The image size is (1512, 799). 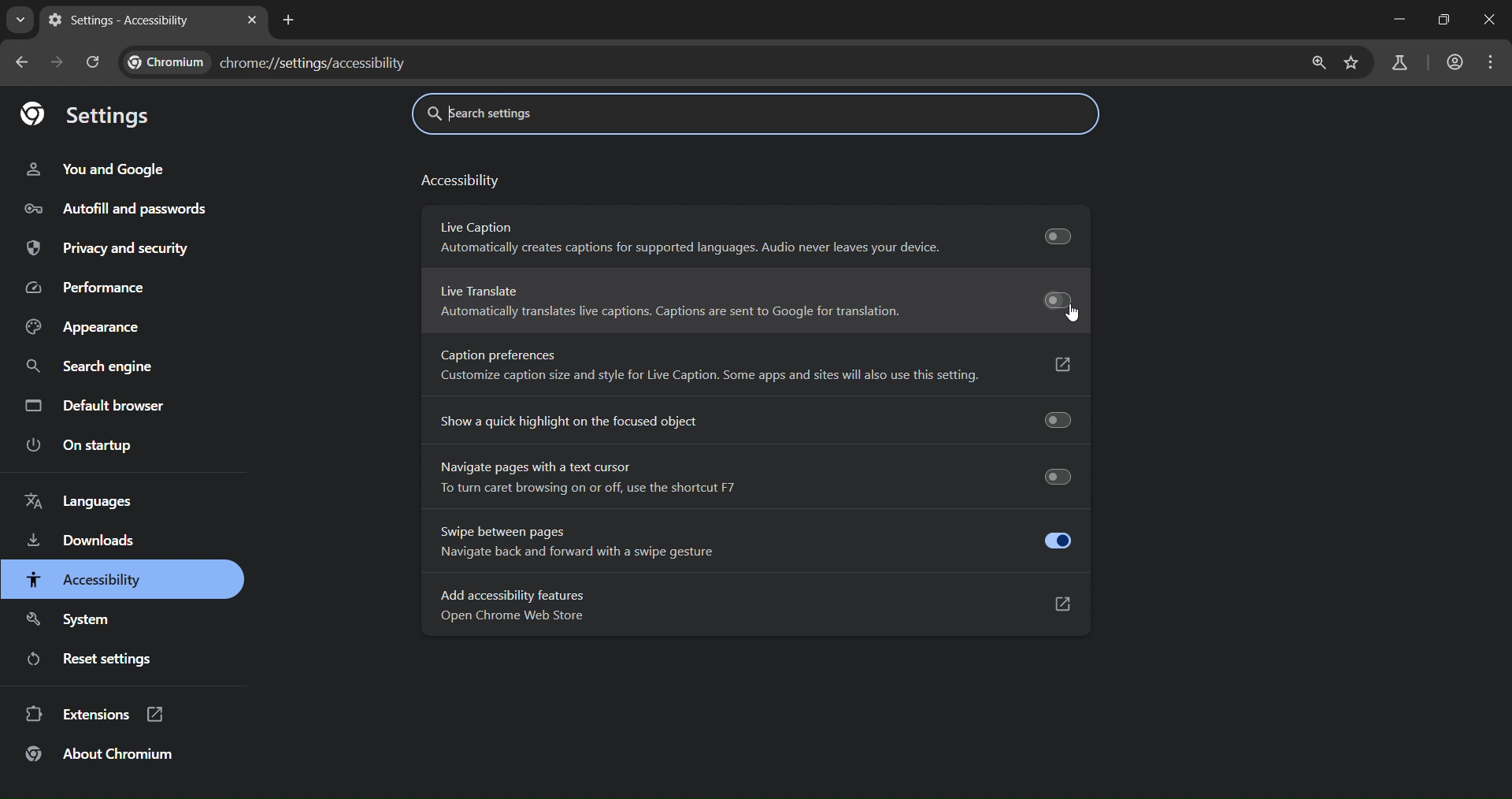 What do you see at coordinates (109, 248) in the screenshot?
I see `privacy and security` at bounding box center [109, 248].